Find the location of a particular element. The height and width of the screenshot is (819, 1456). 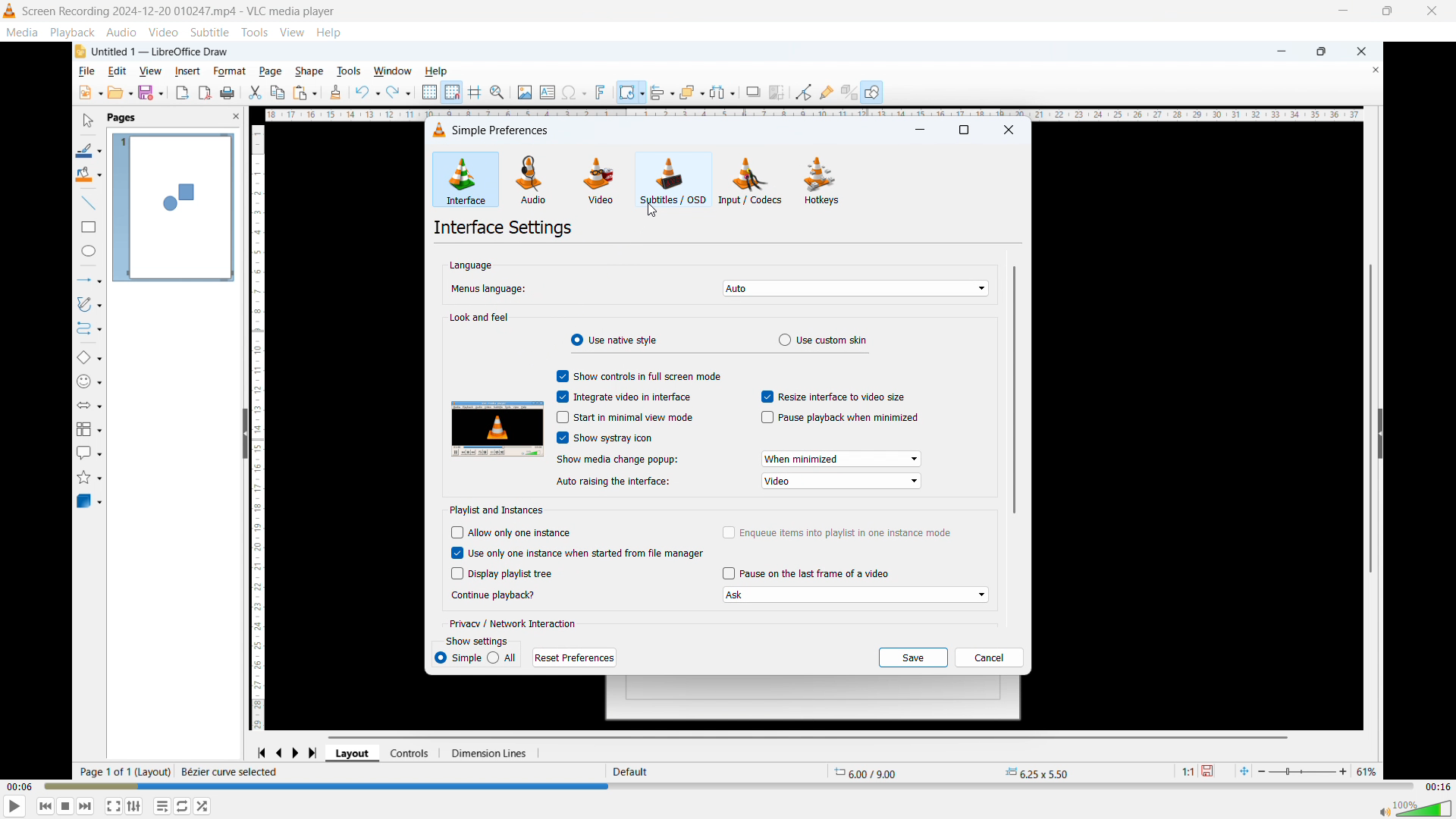

Tools  is located at coordinates (255, 32).